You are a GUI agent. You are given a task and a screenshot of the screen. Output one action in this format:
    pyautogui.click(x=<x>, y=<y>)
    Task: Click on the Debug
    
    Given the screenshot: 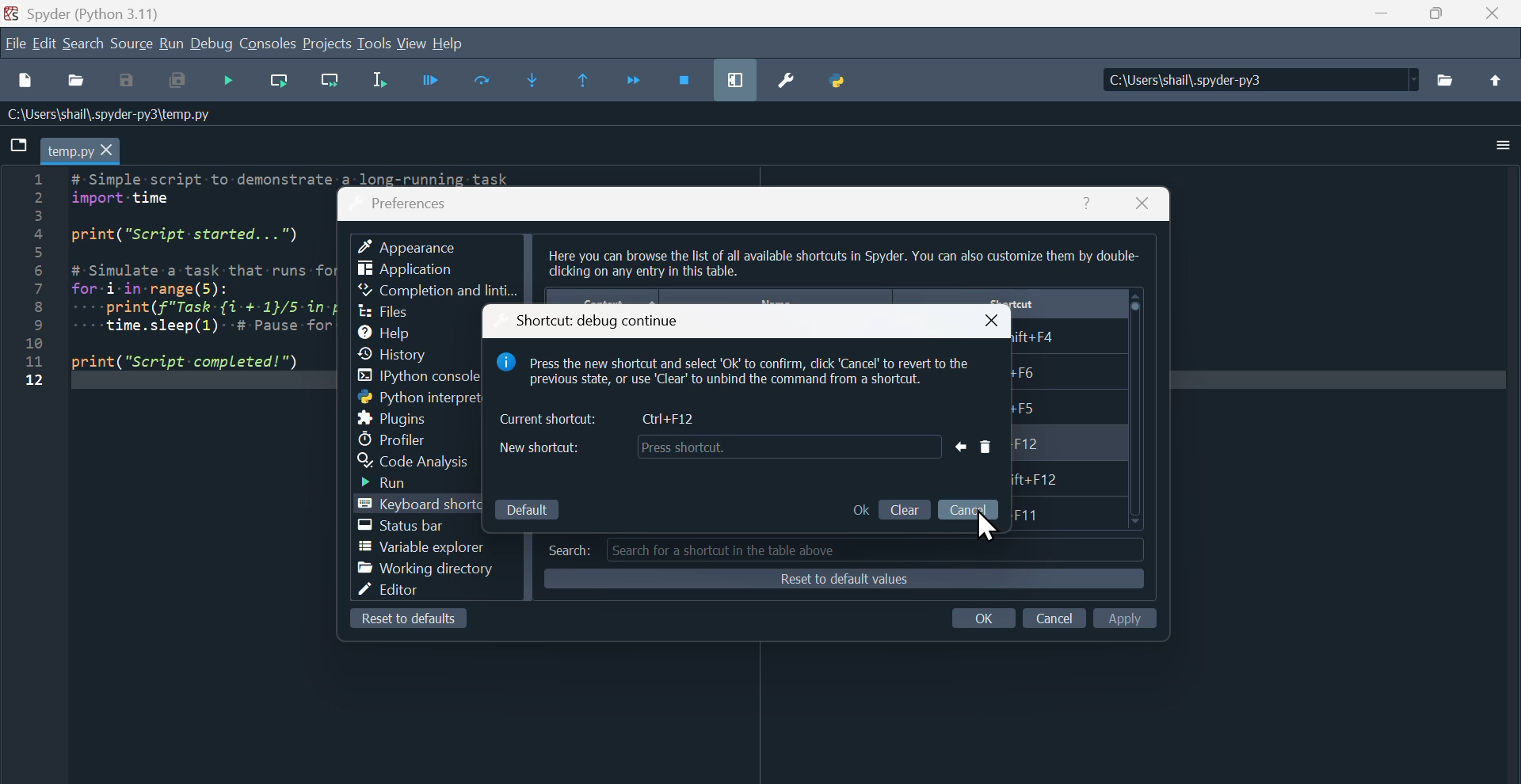 What is the action you would take?
    pyautogui.click(x=211, y=43)
    